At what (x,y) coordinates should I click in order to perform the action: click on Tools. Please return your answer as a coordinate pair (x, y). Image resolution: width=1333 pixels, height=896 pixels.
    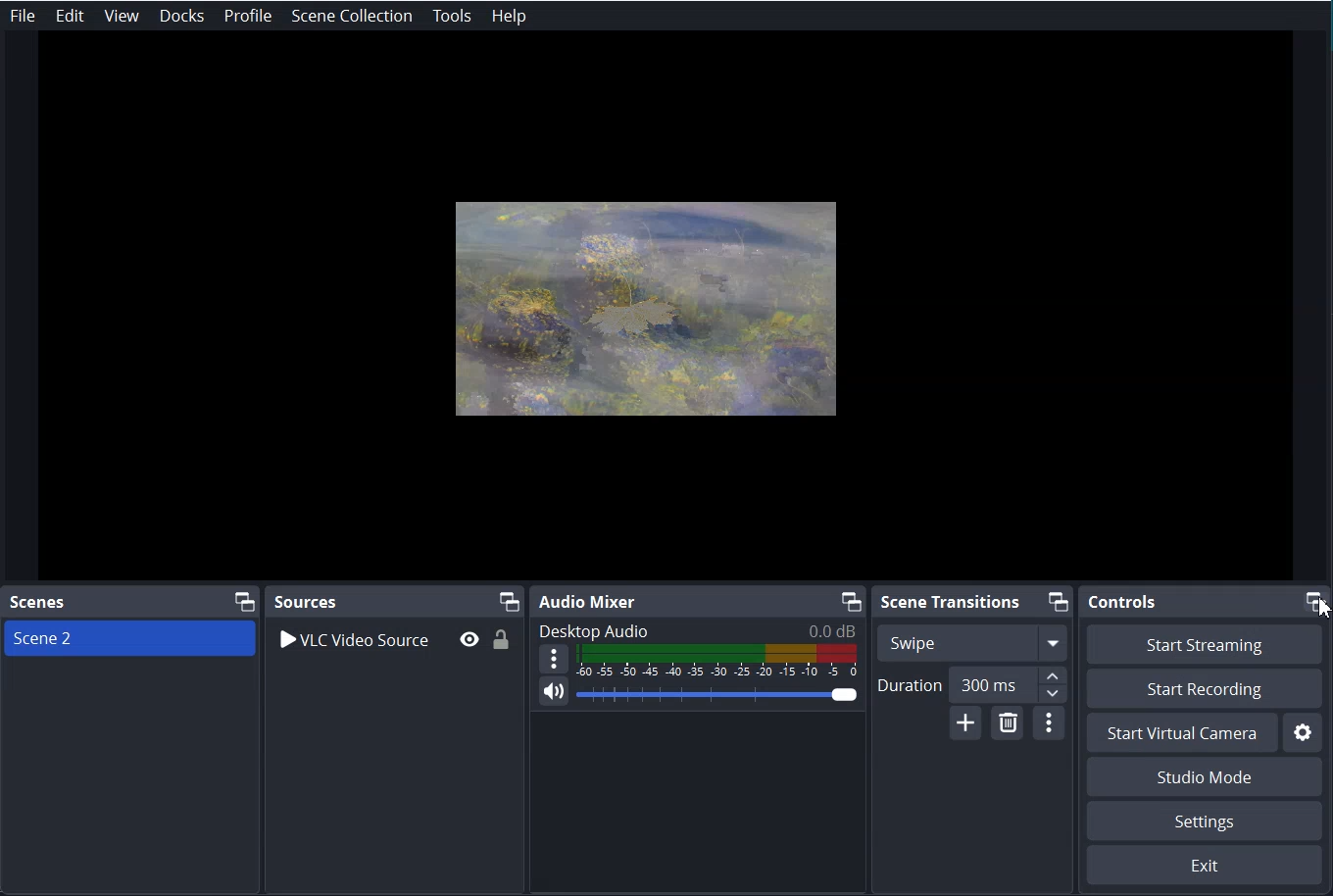
    Looking at the image, I should click on (452, 17).